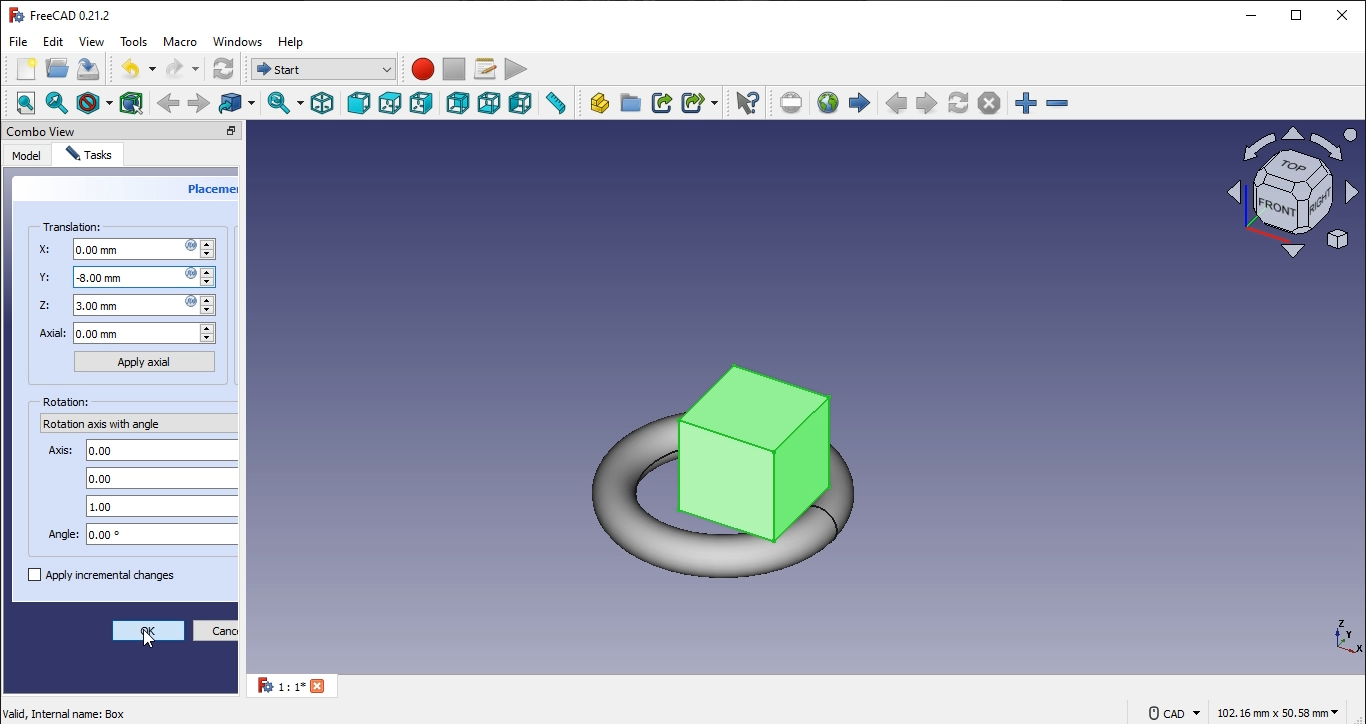  I want to click on icon, so click(1290, 190).